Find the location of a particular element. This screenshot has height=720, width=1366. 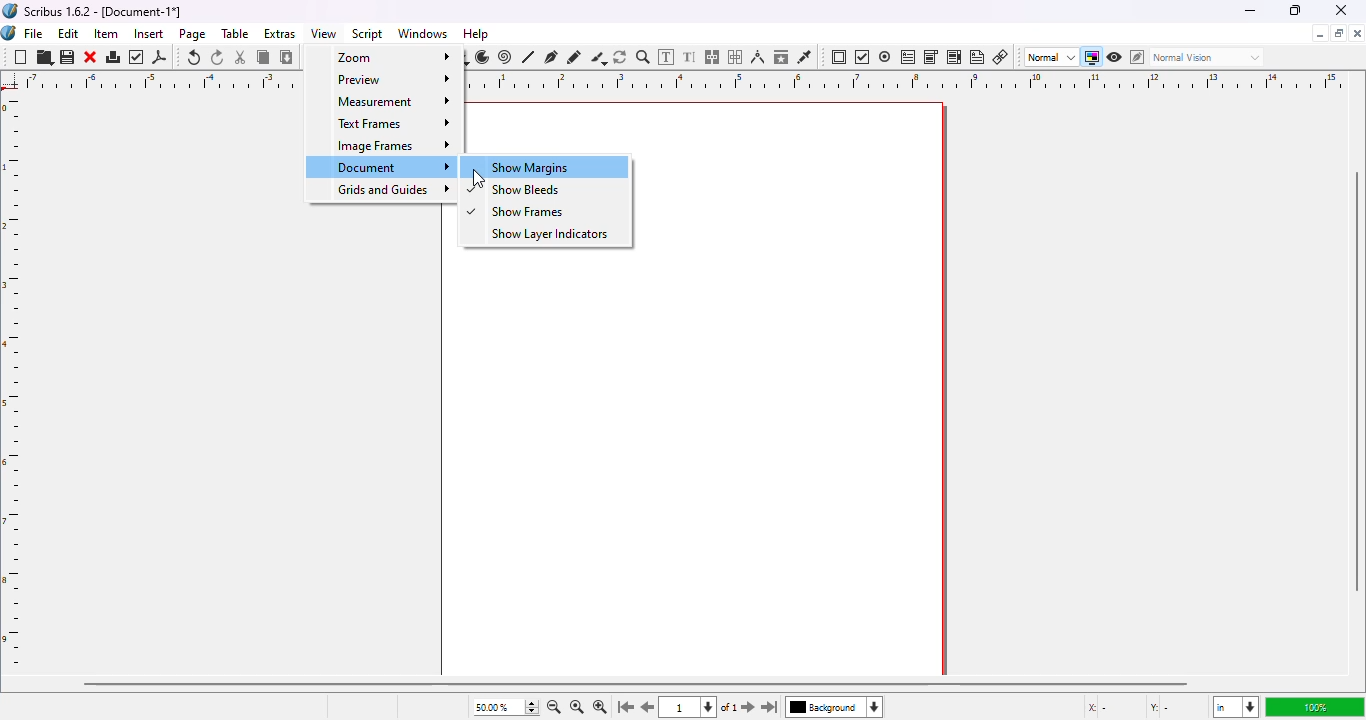

horizontal scroll bar is located at coordinates (635, 683).